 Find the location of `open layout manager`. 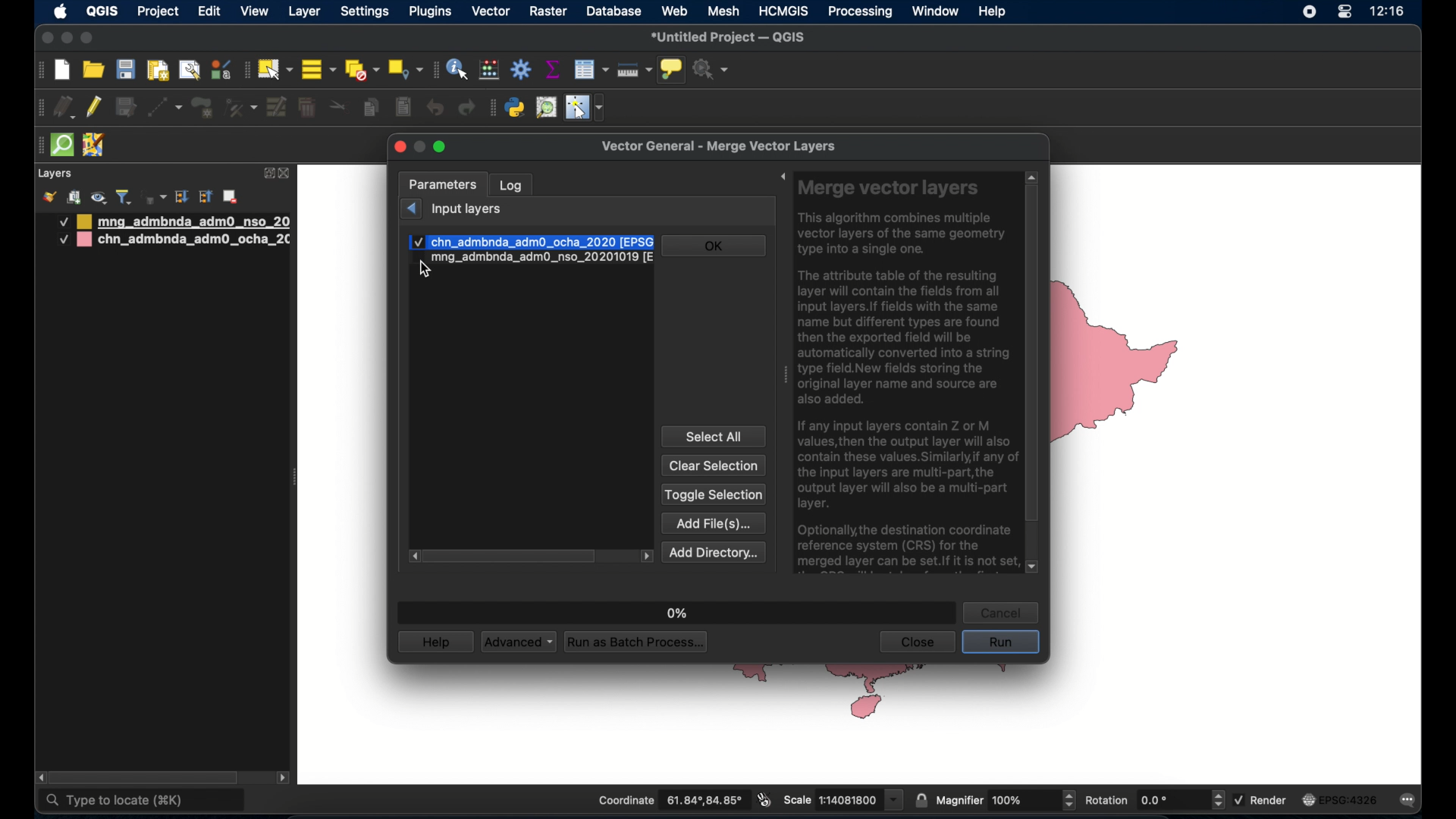

open layout manager is located at coordinates (189, 70).